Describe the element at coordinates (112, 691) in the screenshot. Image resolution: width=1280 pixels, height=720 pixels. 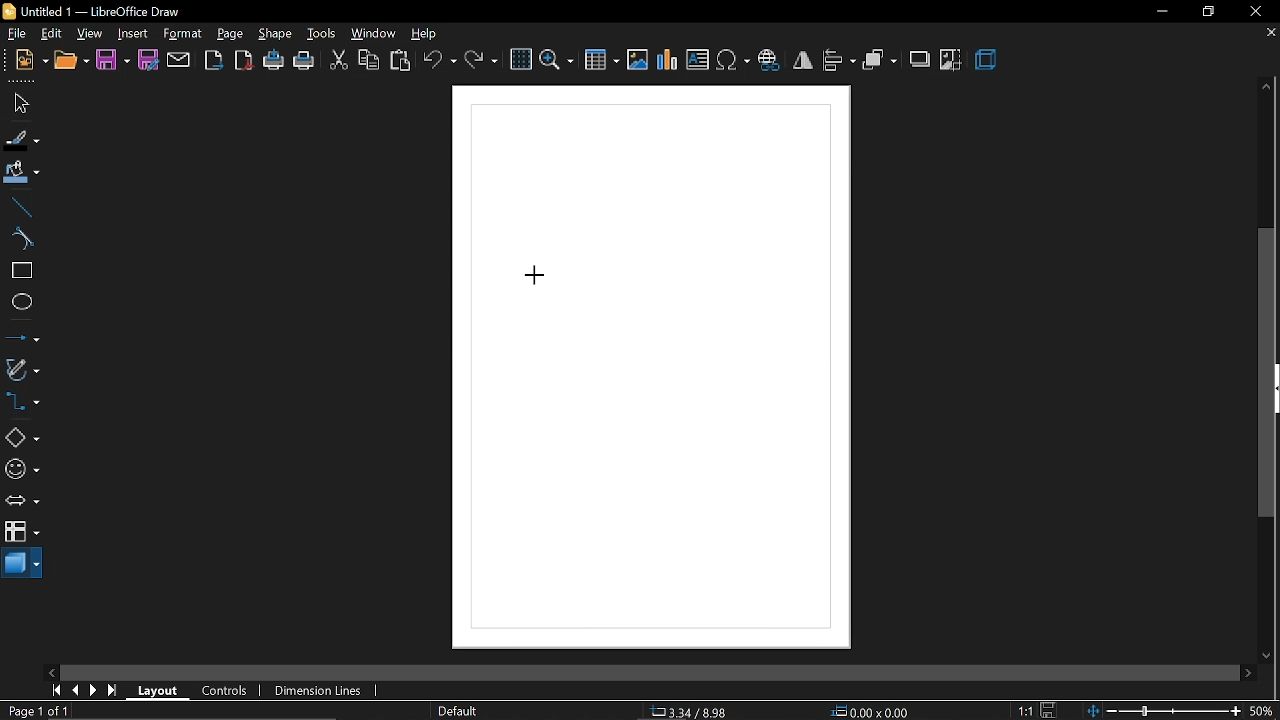
I see `go to last page` at that location.